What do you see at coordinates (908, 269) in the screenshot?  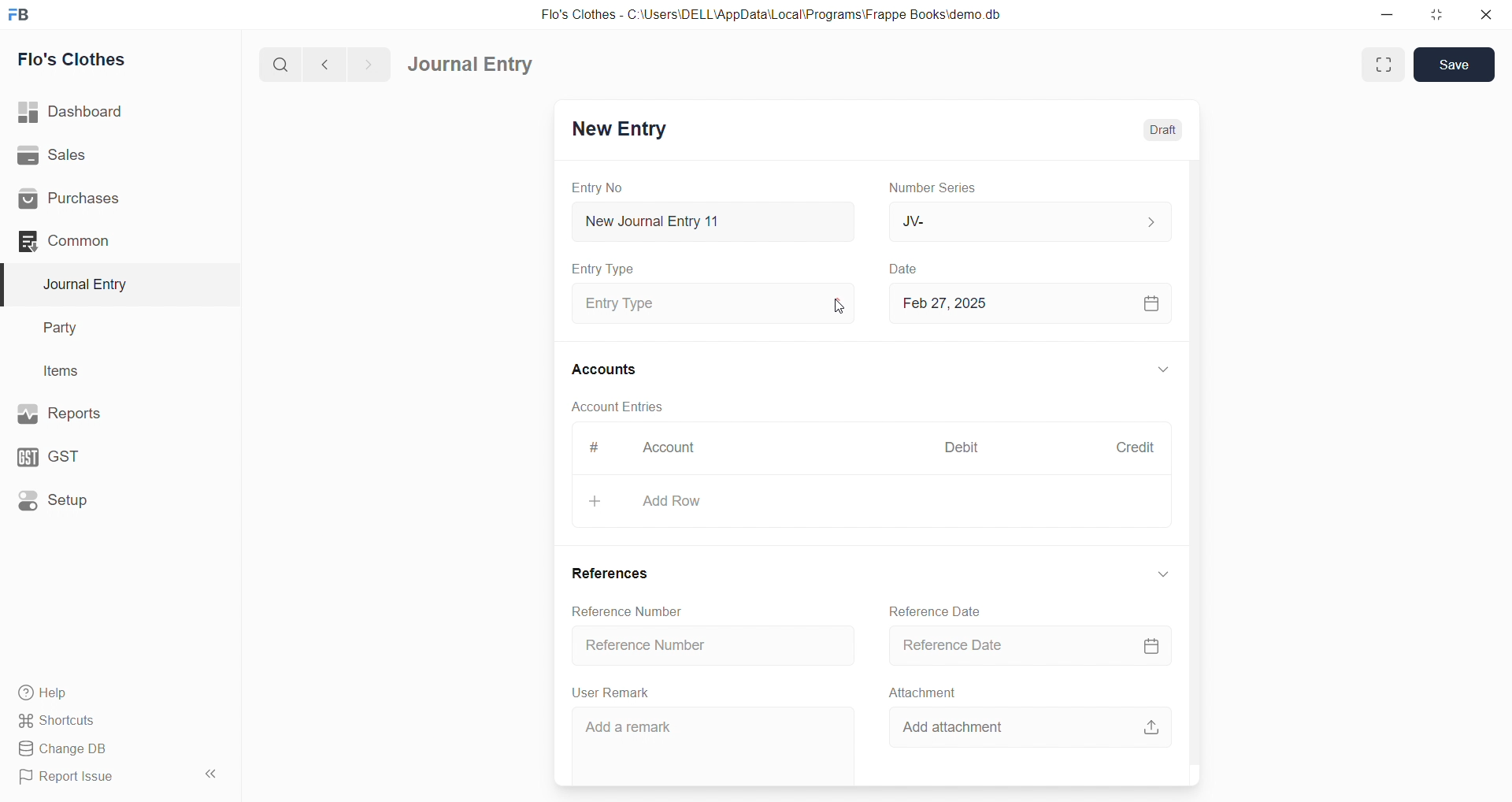 I see `Date` at bounding box center [908, 269].